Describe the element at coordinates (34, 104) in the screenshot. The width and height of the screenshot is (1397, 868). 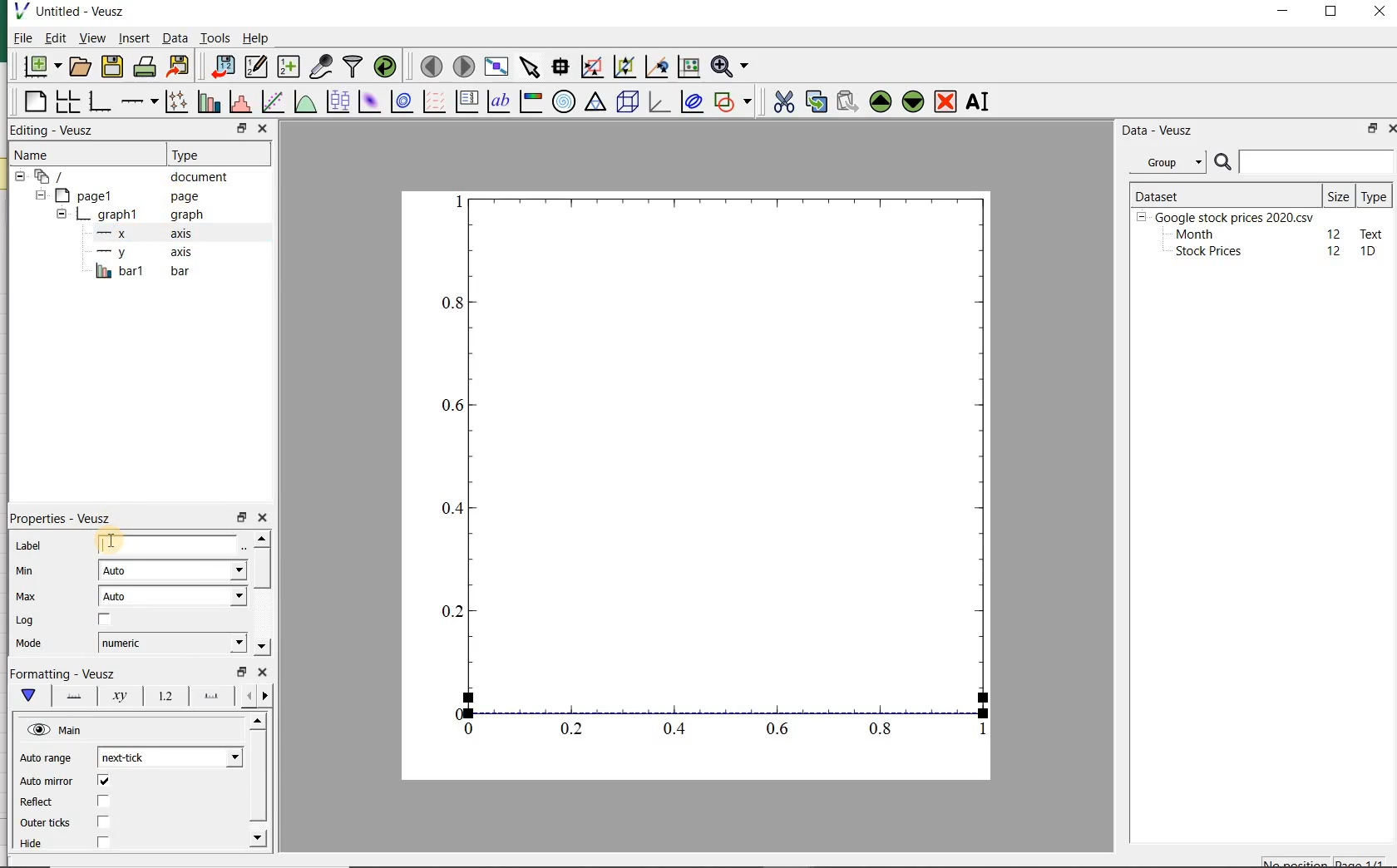
I see `blank page` at that location.